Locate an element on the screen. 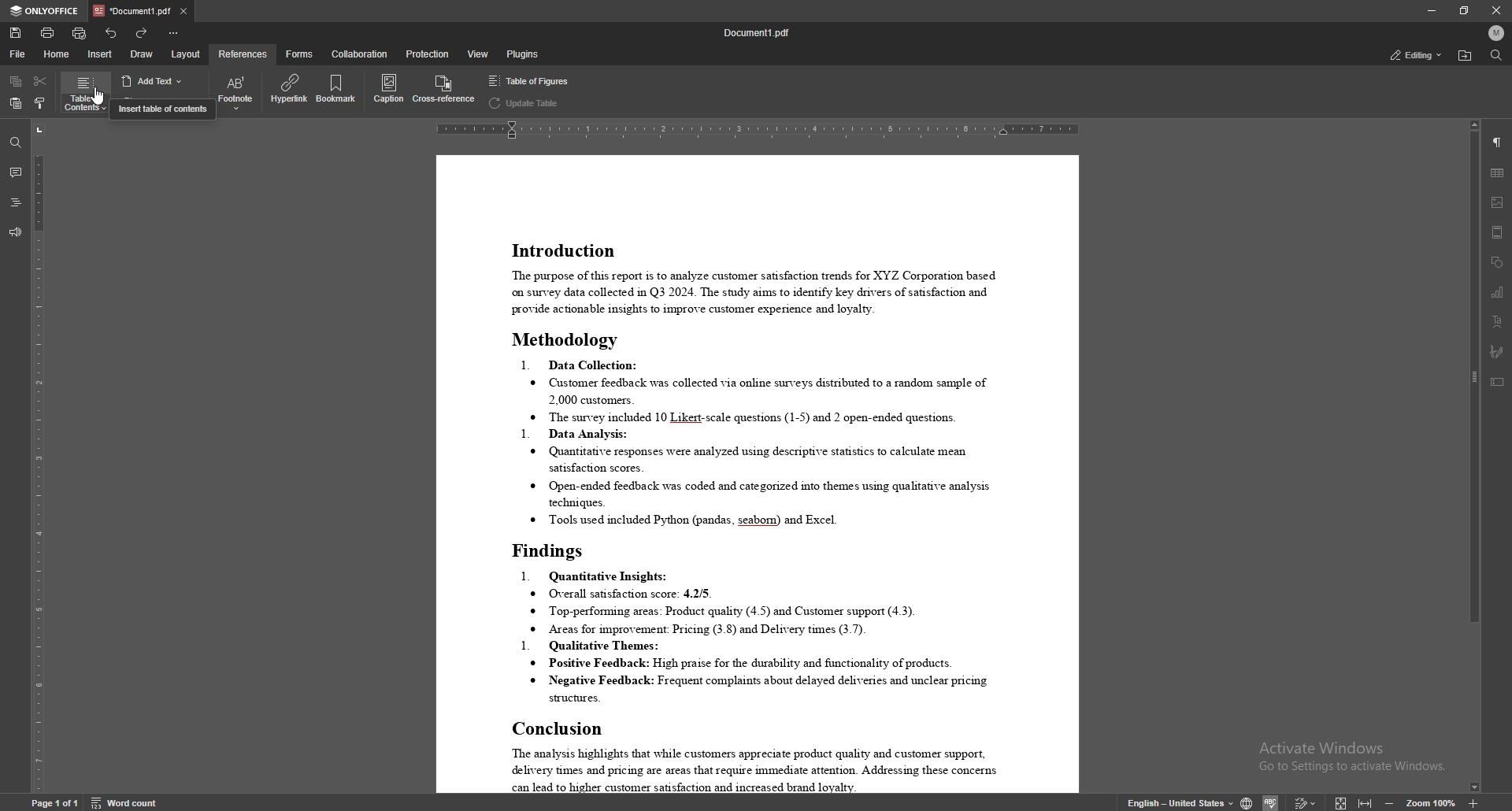  cursor description is located at coordinates (163, 109).